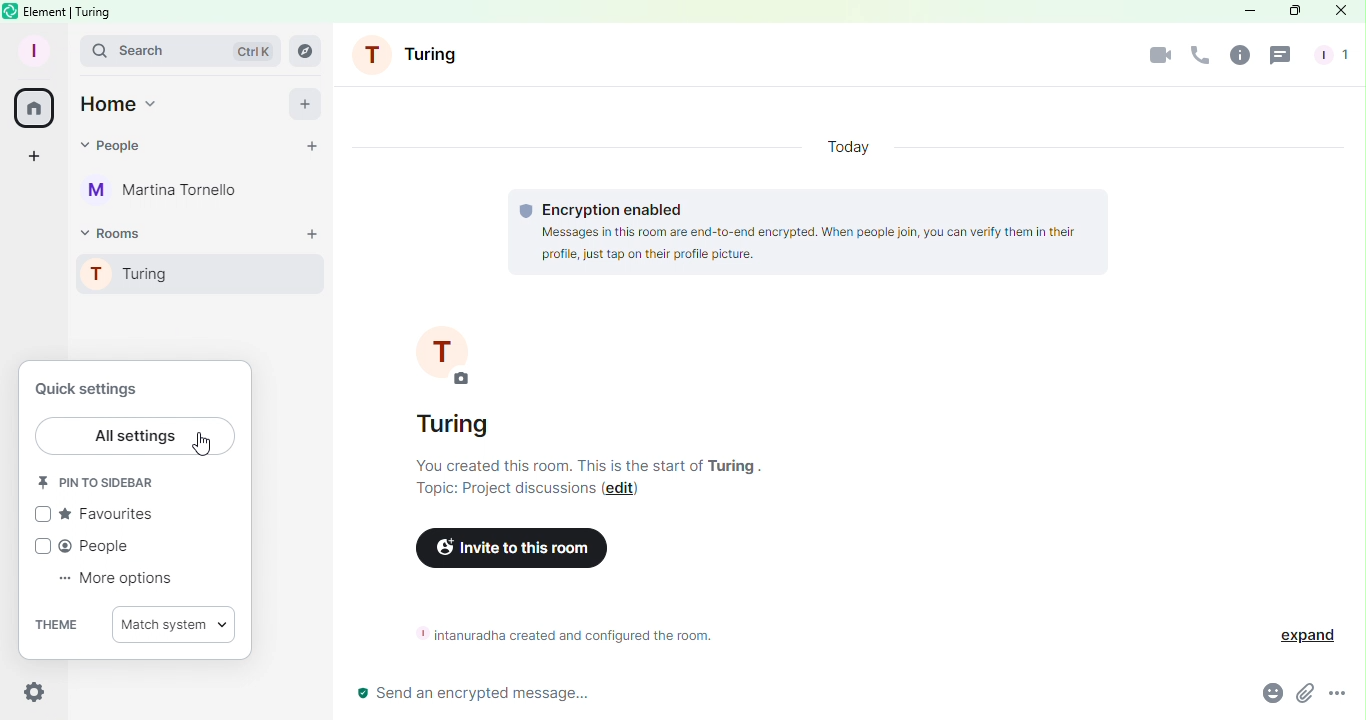 This screenshot has height=720, width=1366. Describe the element at coordinates (117, 105) in the screenshot. I see `Home` at that location.